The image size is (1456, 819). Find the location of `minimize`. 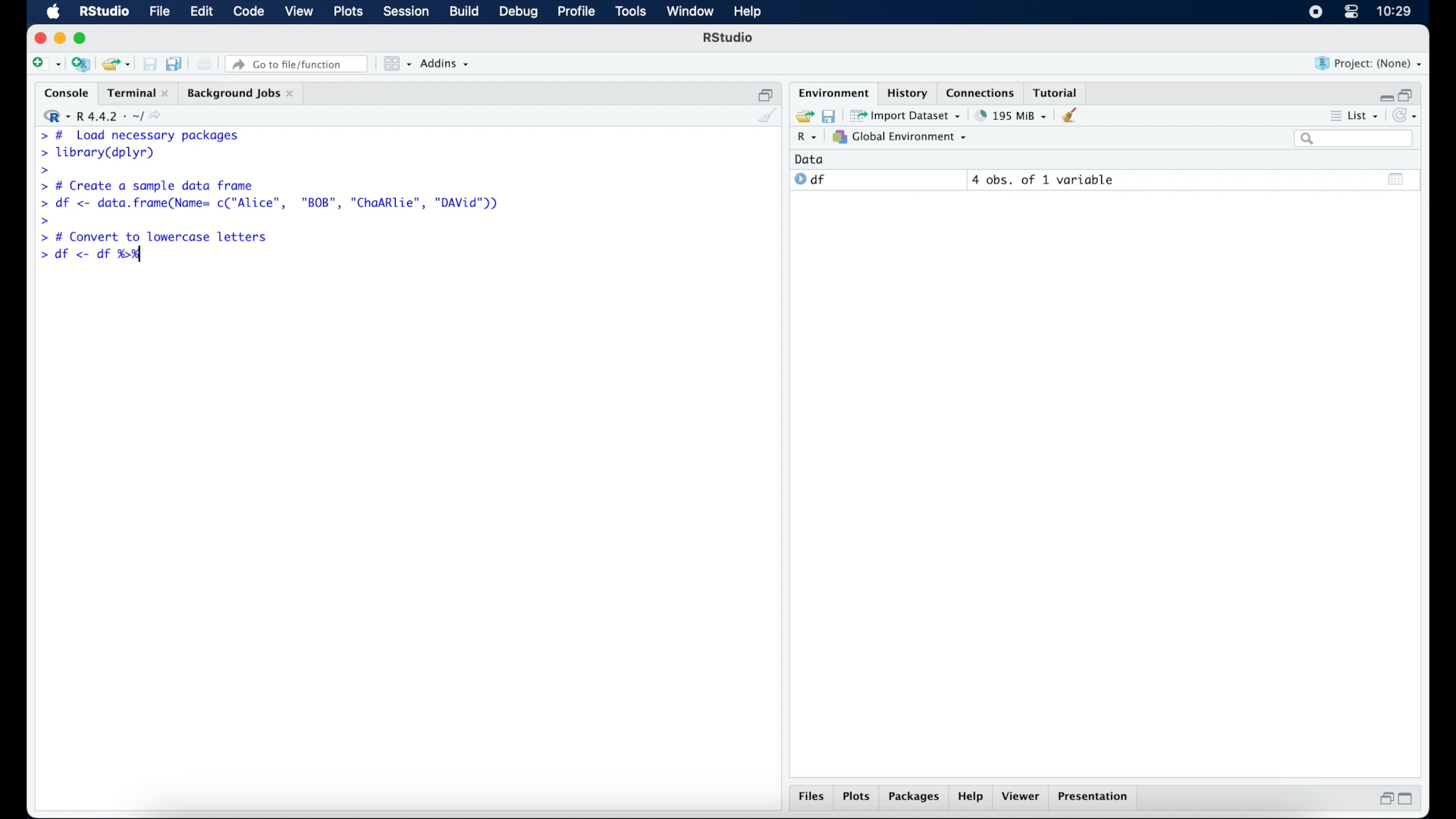

minimize is located at coordinates (60, 38).